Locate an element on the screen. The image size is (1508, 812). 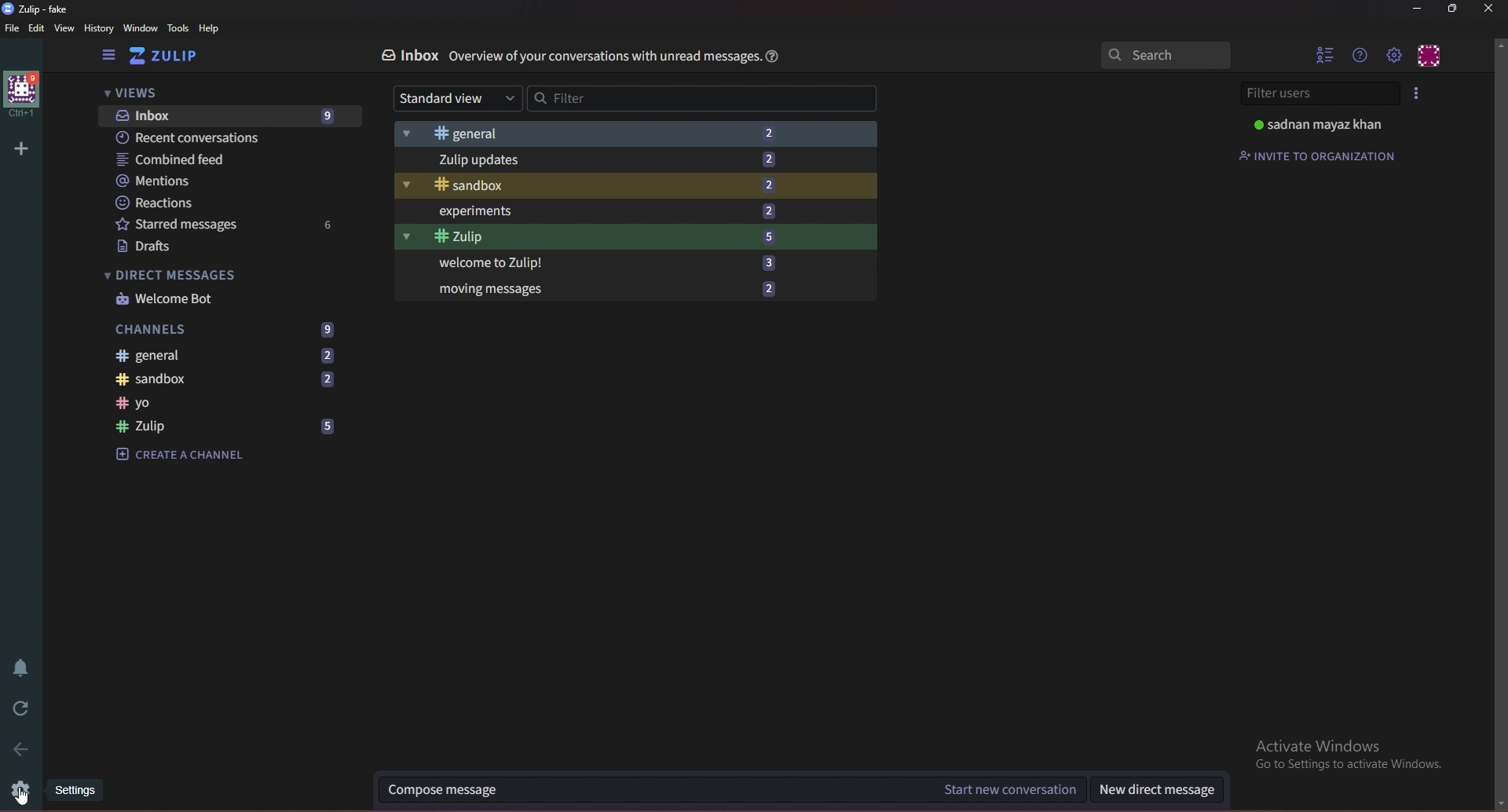
File is located at coordinates (13, 29).